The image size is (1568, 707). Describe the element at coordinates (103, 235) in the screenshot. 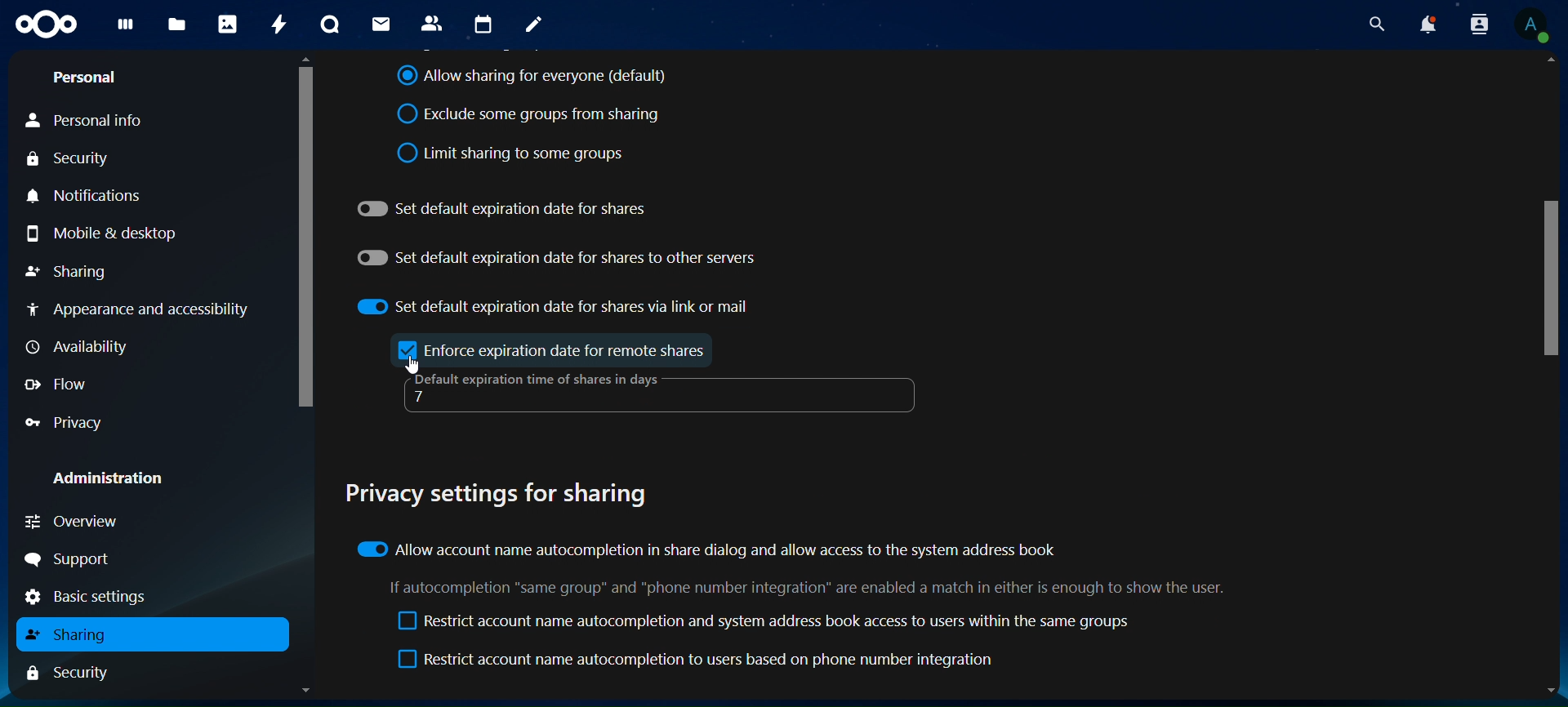

I see `mobile & desktop` at that location.